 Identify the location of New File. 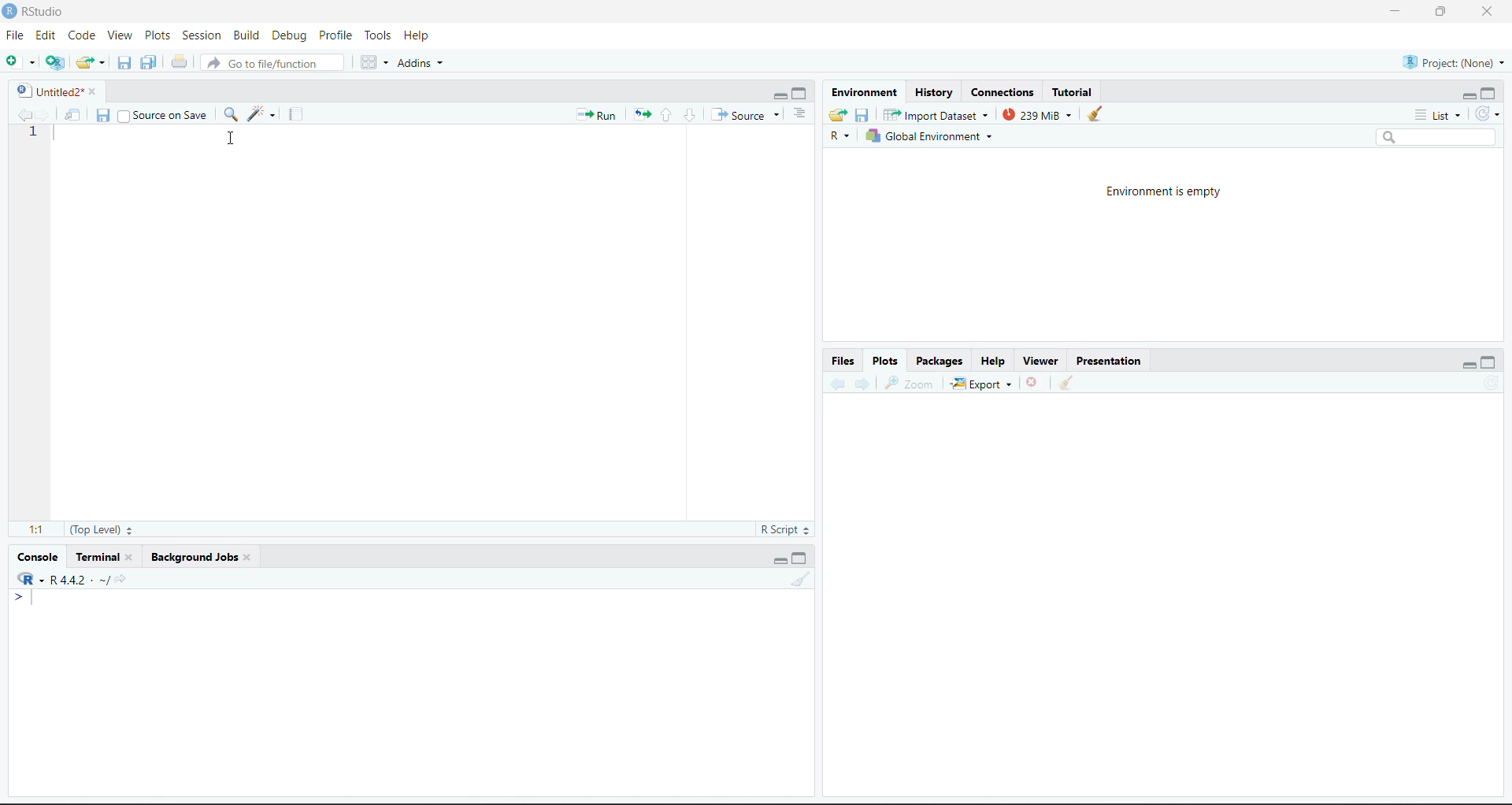
(20, 61).